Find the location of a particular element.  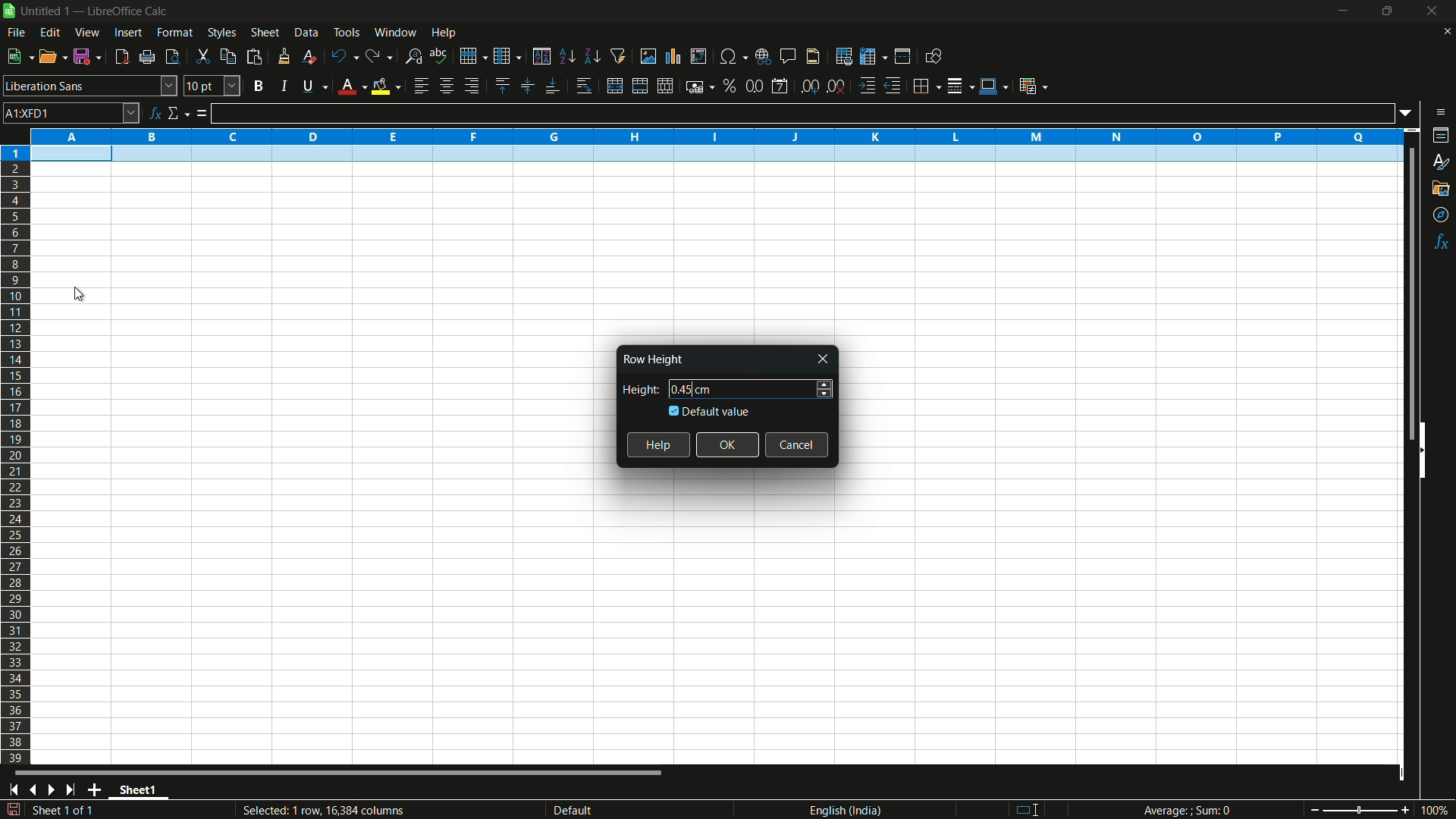

insert menu is located at coordinates (127, 33).